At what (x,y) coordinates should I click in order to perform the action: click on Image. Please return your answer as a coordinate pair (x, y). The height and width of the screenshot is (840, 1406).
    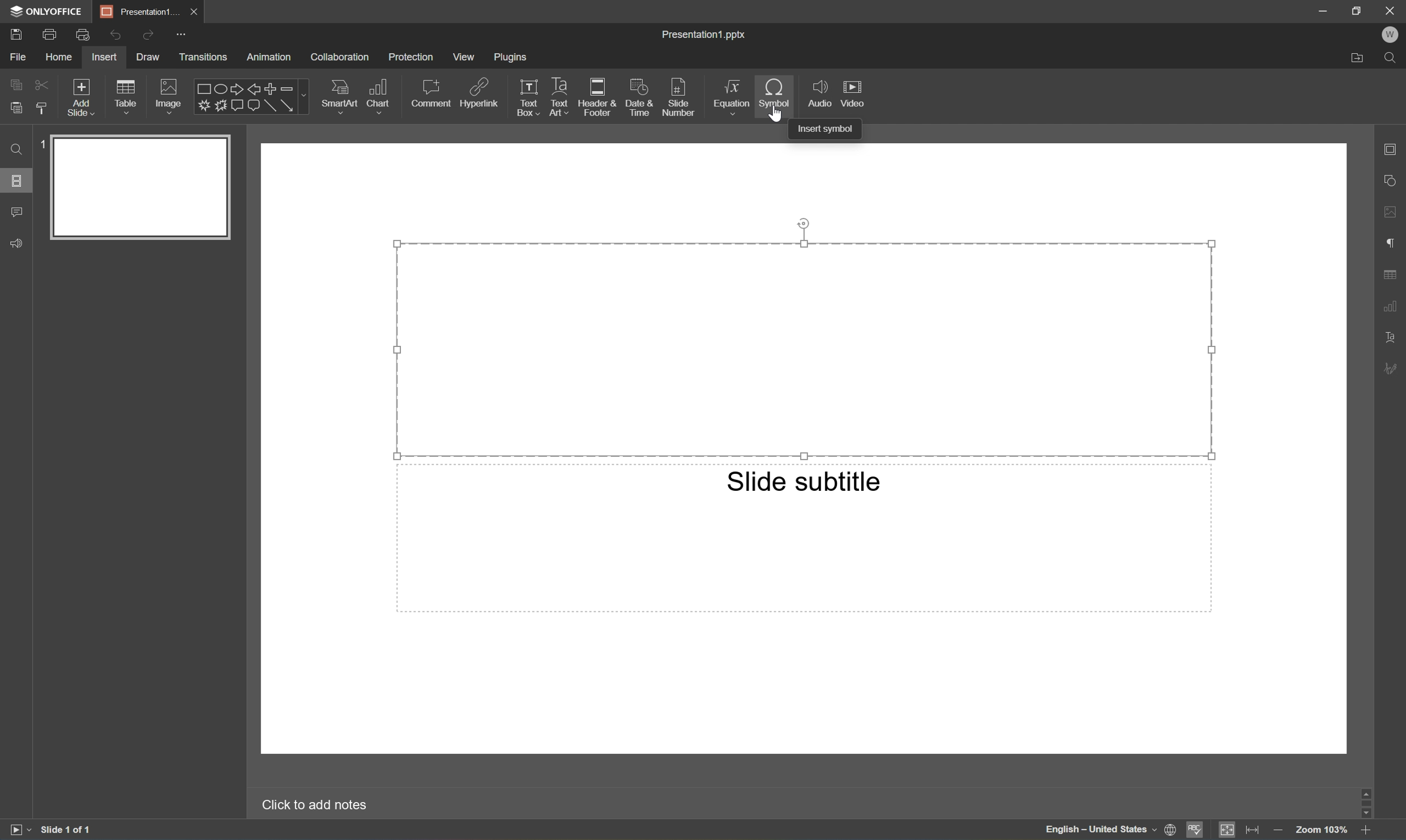
    Looking at the image, I should click on (168, 96).